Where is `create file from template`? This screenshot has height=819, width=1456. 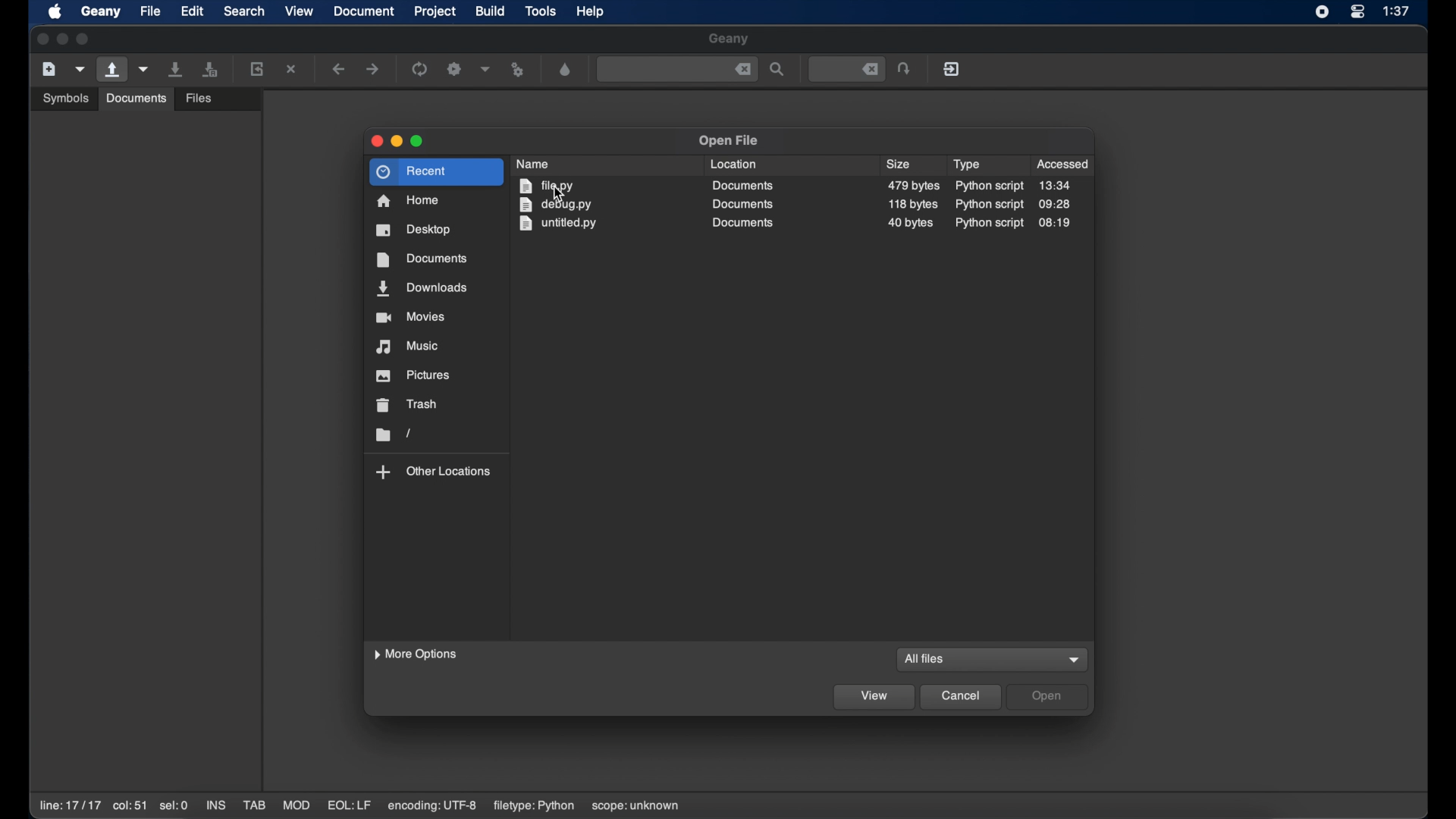 create file from template is located at coordinates (80, 69).